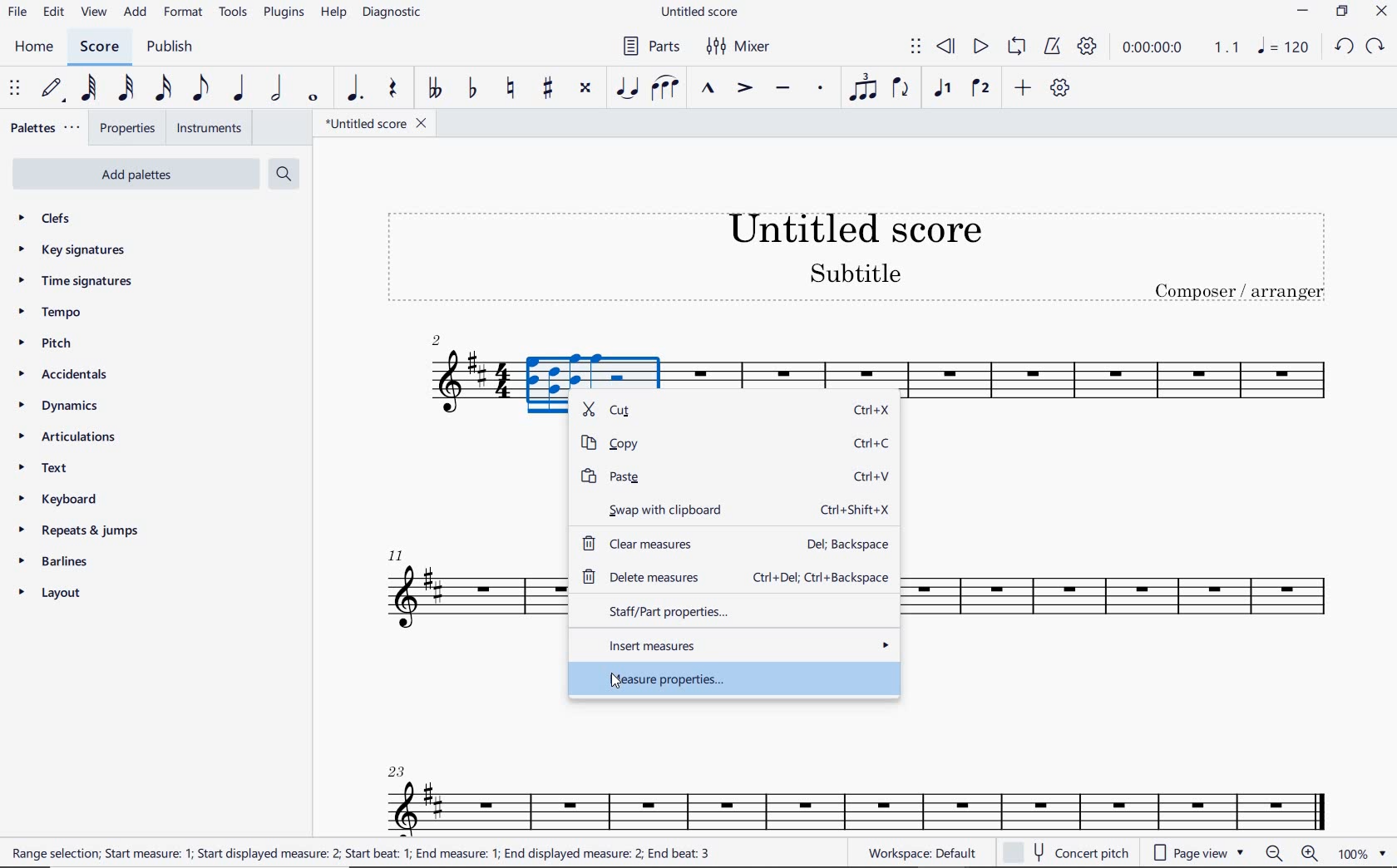 The height and width of the screenshot is (868, 1397). What do you see at coordinates (1290, 852) in the screenshot?
I see `zoom in or zoom out` at bounding box center [1290, 852].